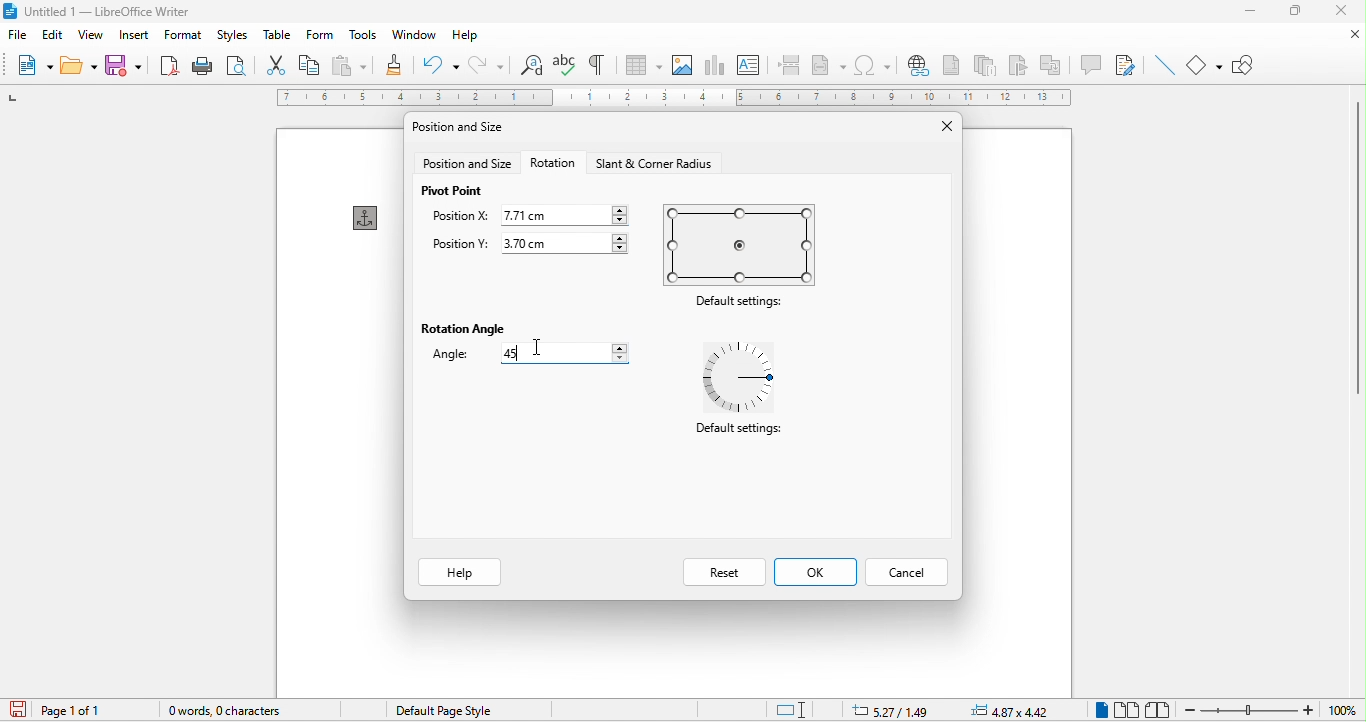  I want to click on multiple page view, so click(1127, 709).